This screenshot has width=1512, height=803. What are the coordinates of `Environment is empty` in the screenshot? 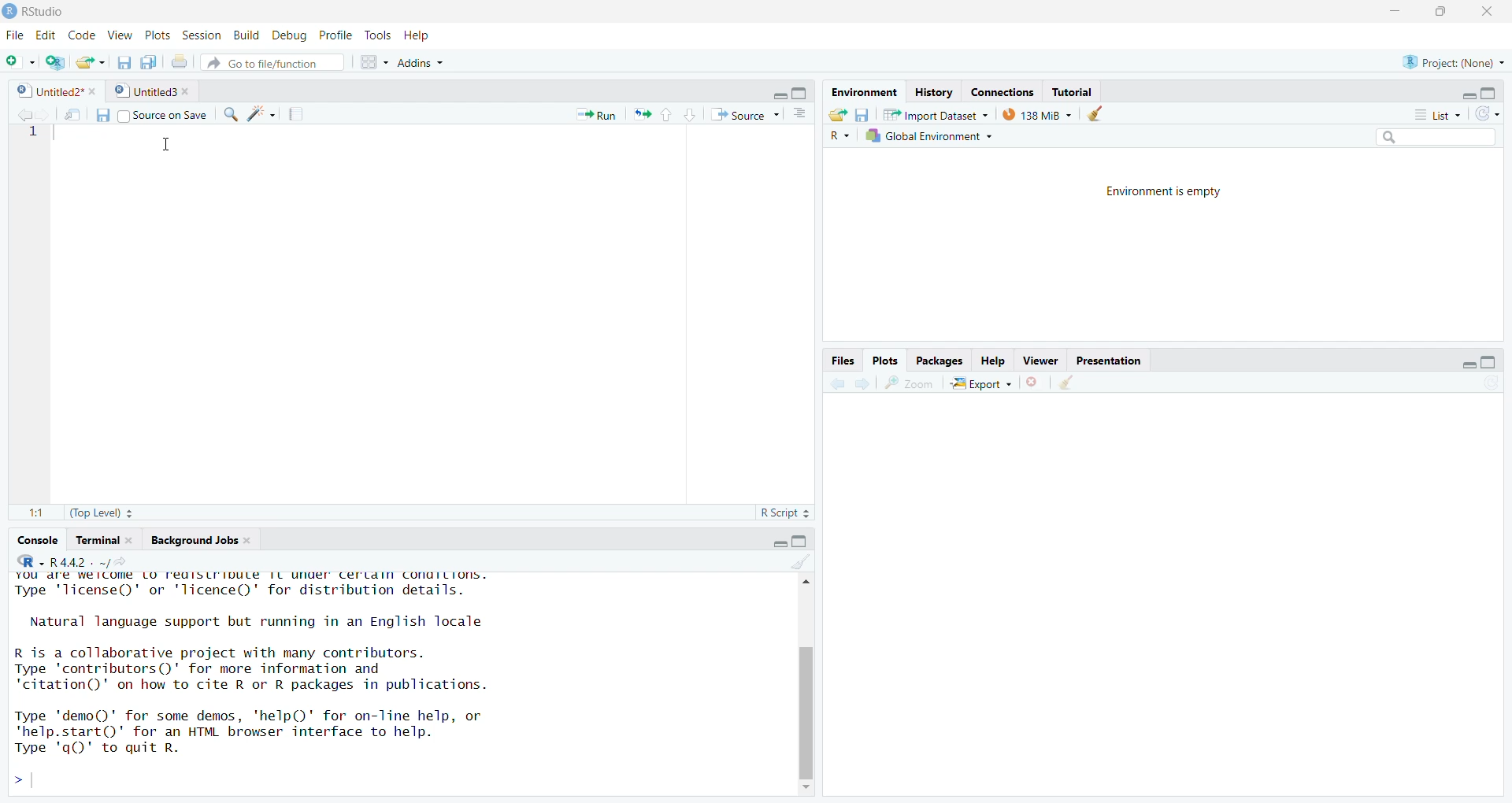 It's located at (1163, 193).